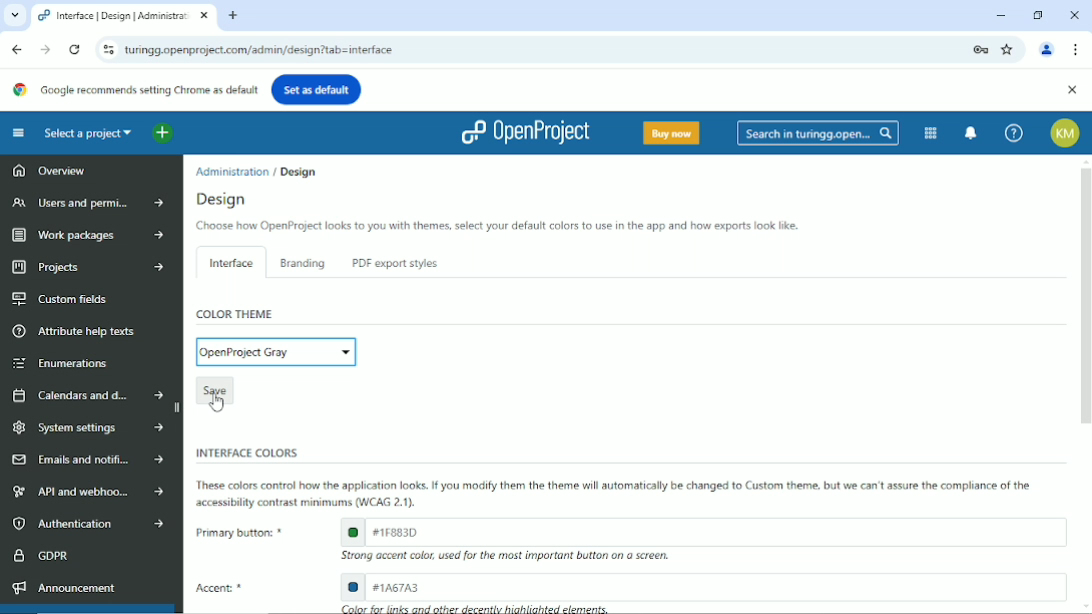  What do you see at coordinates (17, 48) in the screenshot?
I see `Back` at bounding box center [17, 48].